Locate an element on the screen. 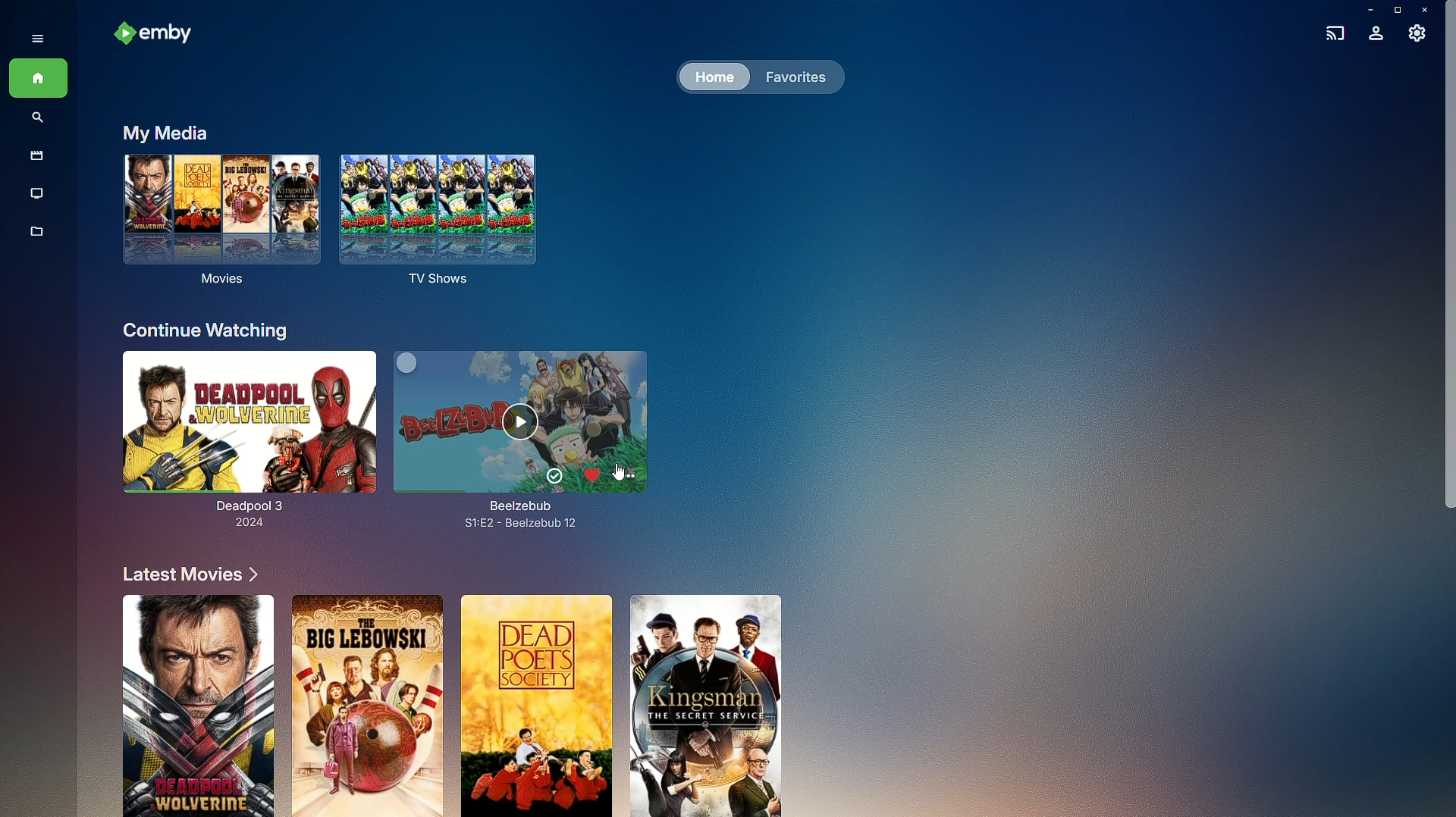 The width and height of the screenshot is (1456, 817). Settings is located at coordinates (1418, 37).